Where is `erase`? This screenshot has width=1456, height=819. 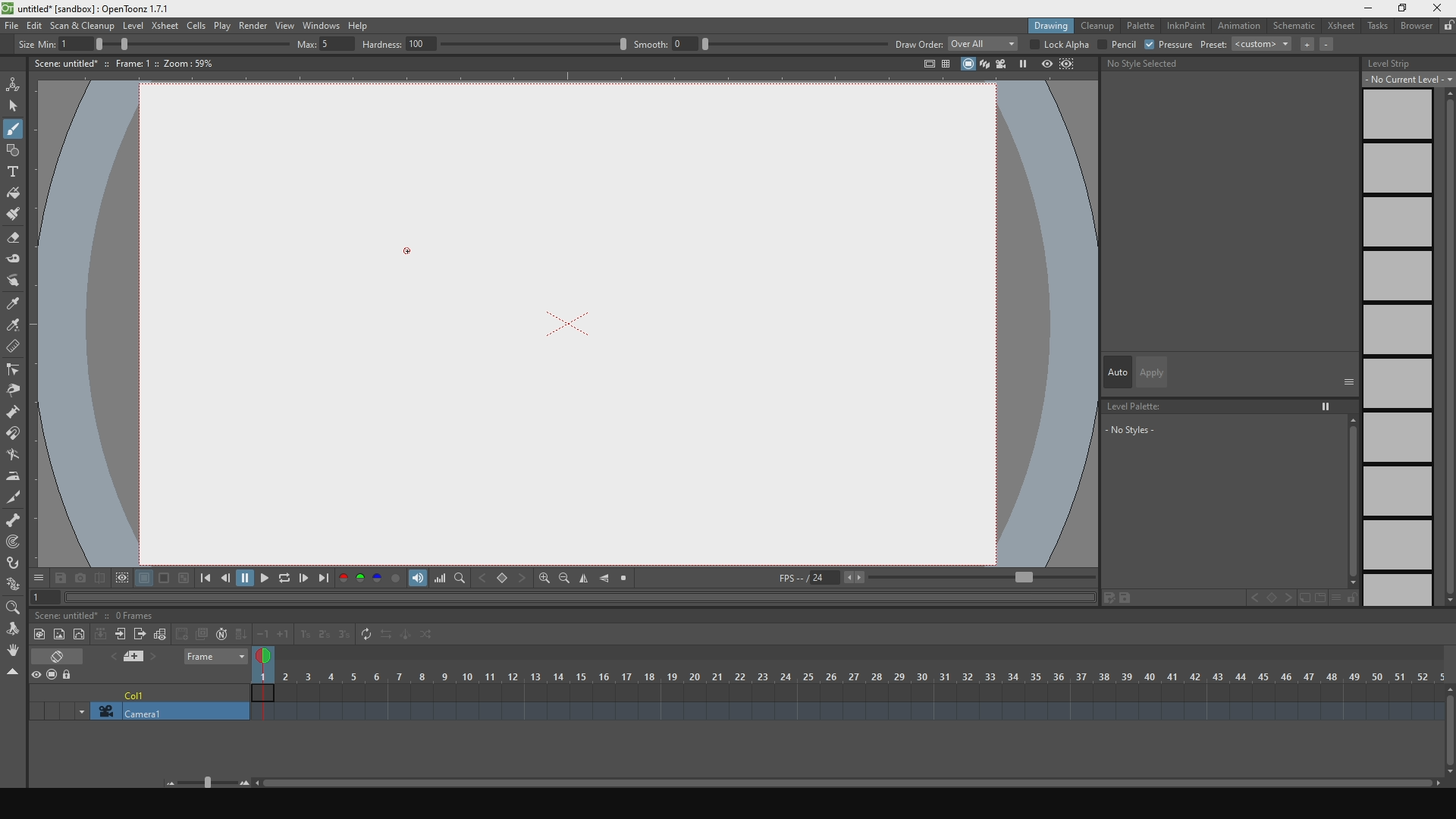 erase is located at coordinates (67, 657).